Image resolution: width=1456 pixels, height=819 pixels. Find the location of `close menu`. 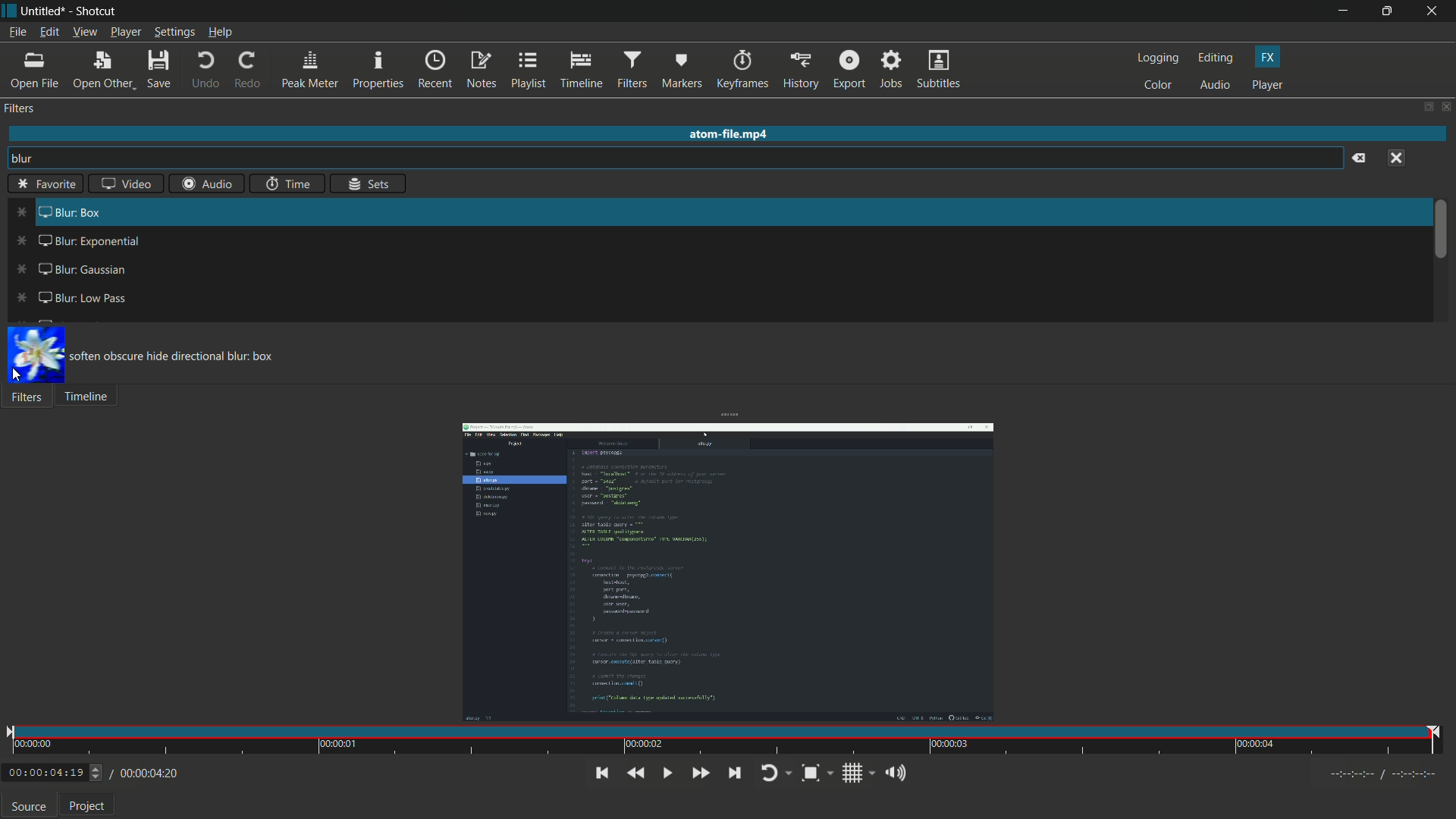

close menu is located at coordinates (1398, 158).